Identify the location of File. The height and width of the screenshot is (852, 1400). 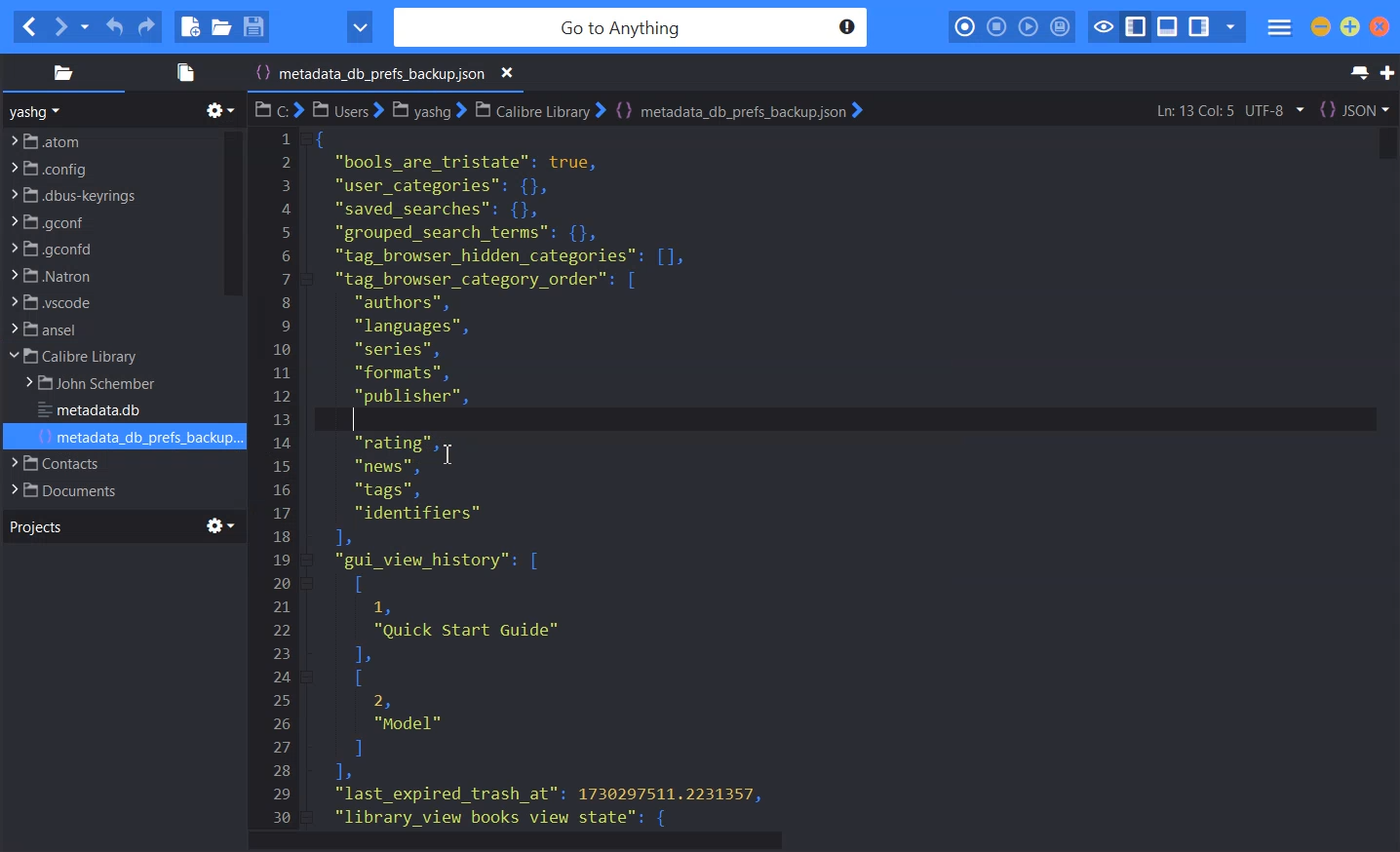
(97, 411).